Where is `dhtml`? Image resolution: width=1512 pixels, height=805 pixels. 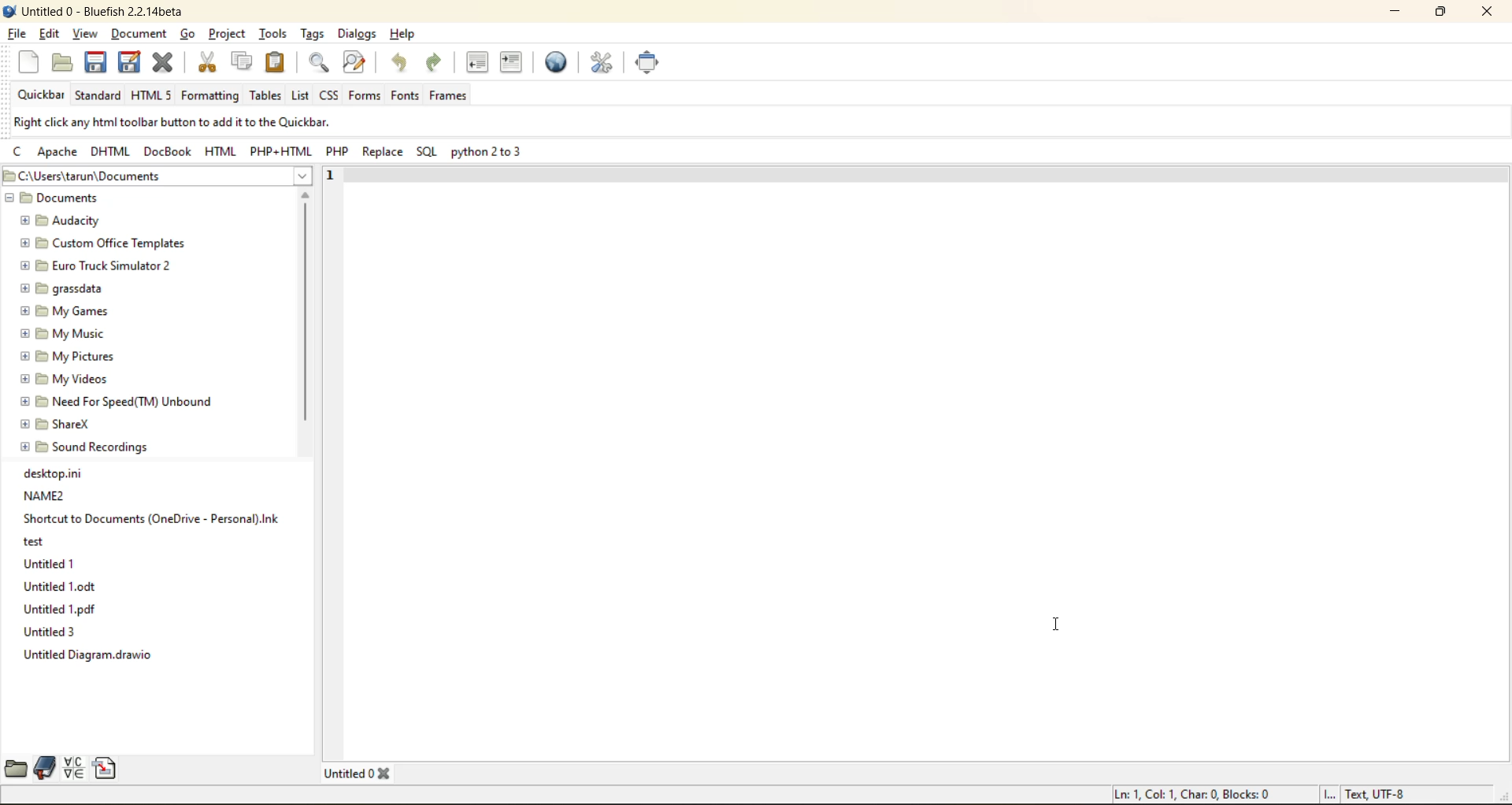
dhtml is located at coordinates (109, 153).